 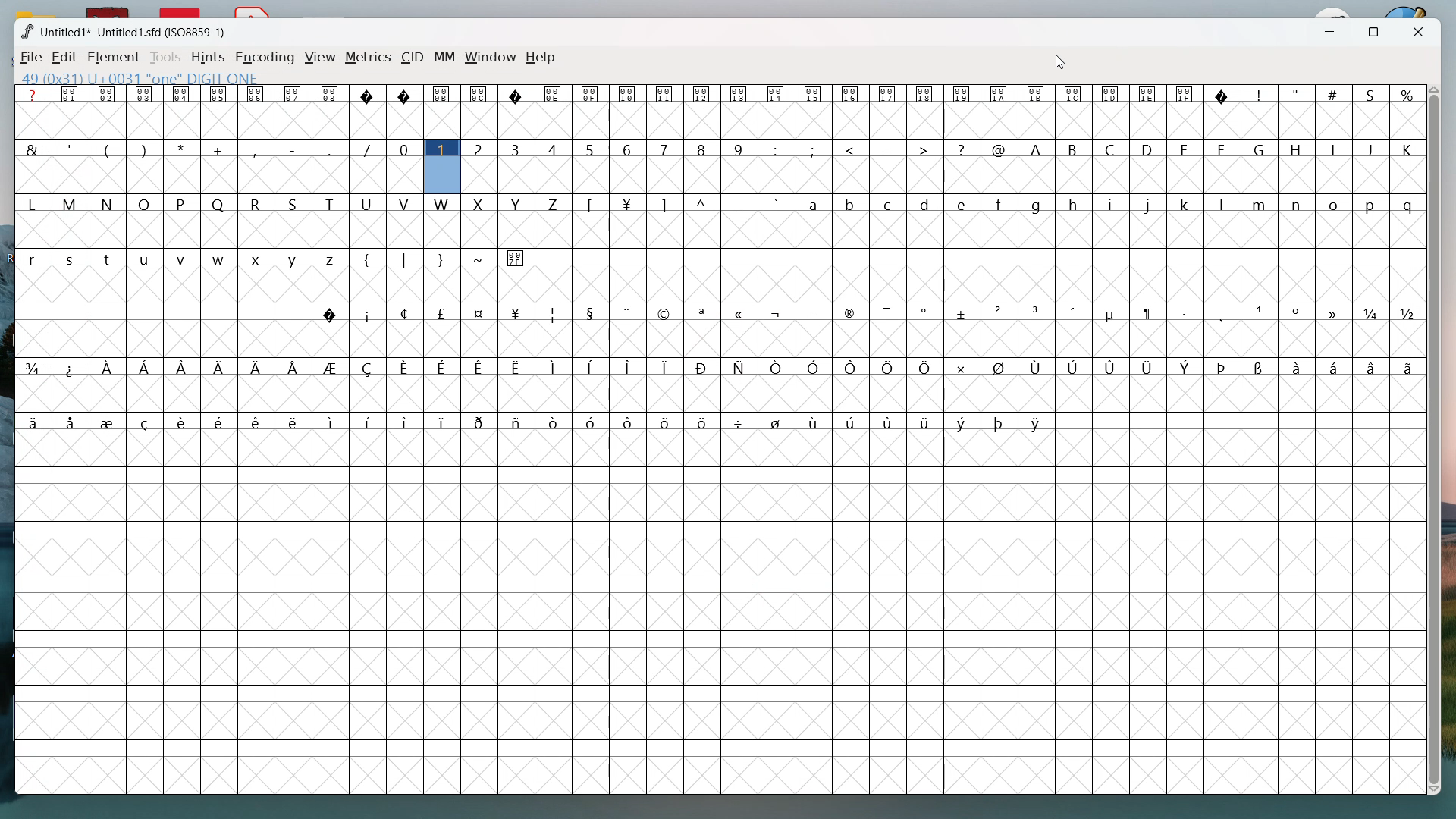 I want to click on symbol, so click(x=1075, y=95).